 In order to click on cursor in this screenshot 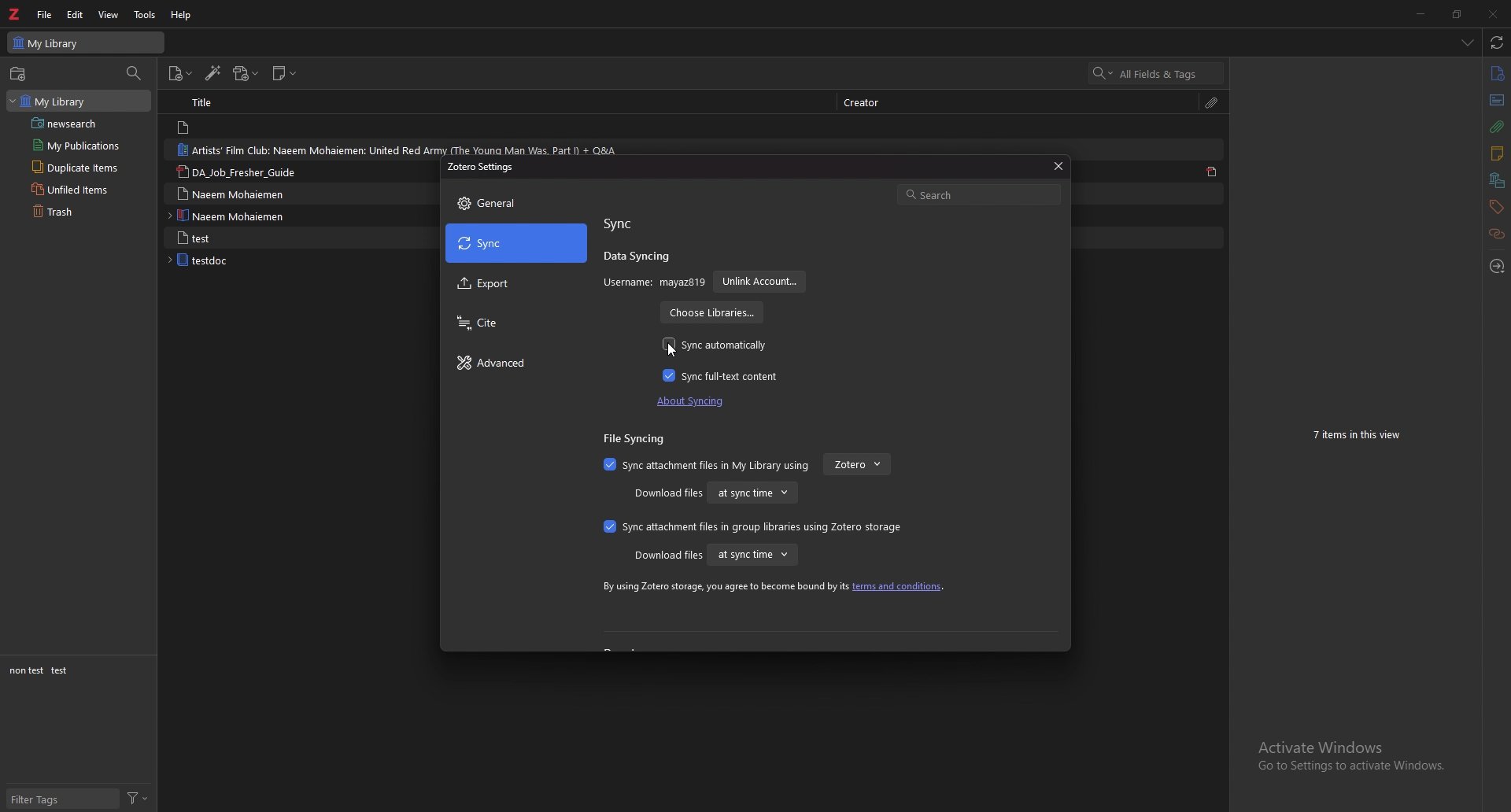, I will do `click(671, 350)`.